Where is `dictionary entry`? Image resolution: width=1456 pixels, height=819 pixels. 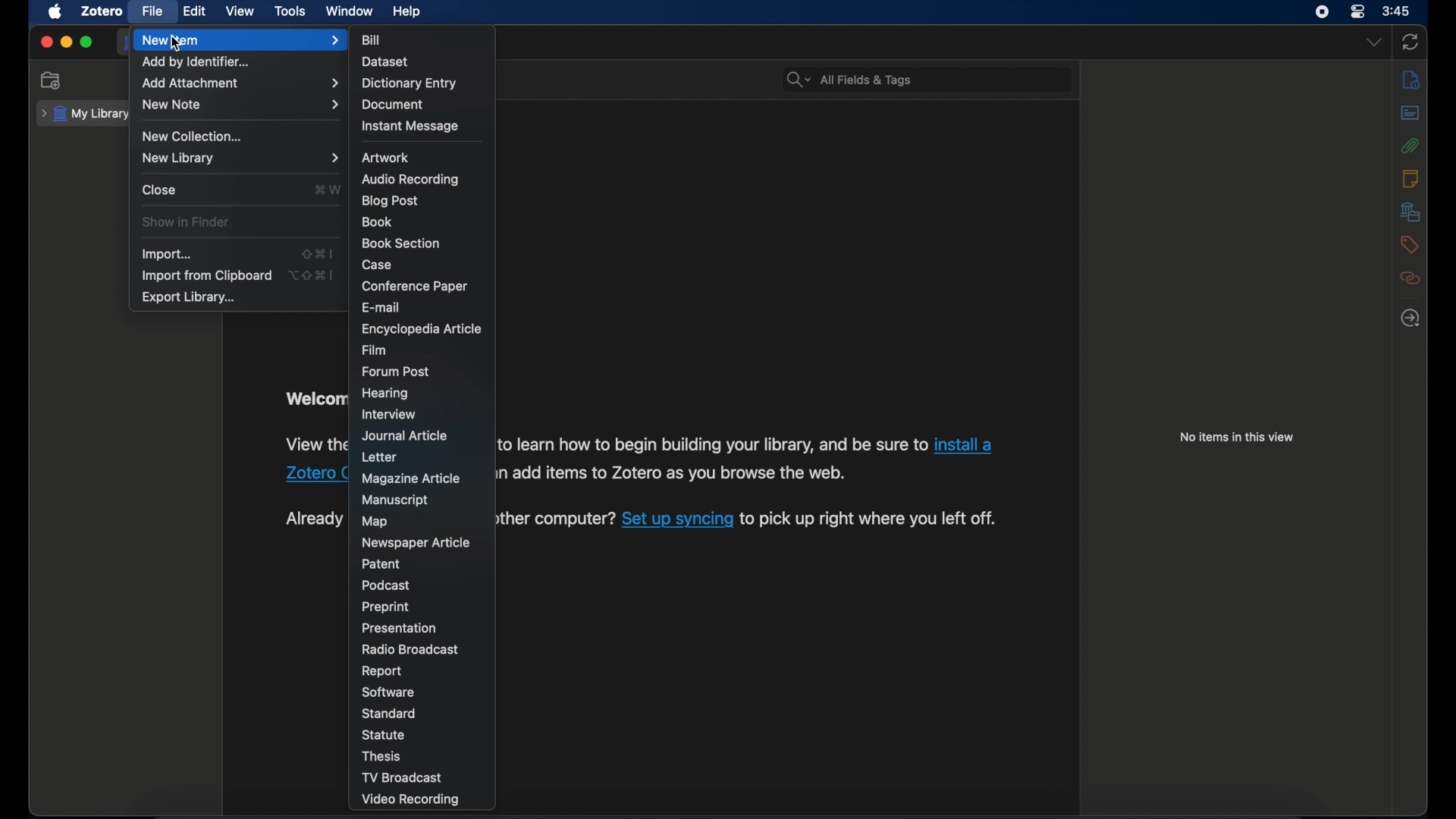
dictionary entry is located at coordinates (409, 83).